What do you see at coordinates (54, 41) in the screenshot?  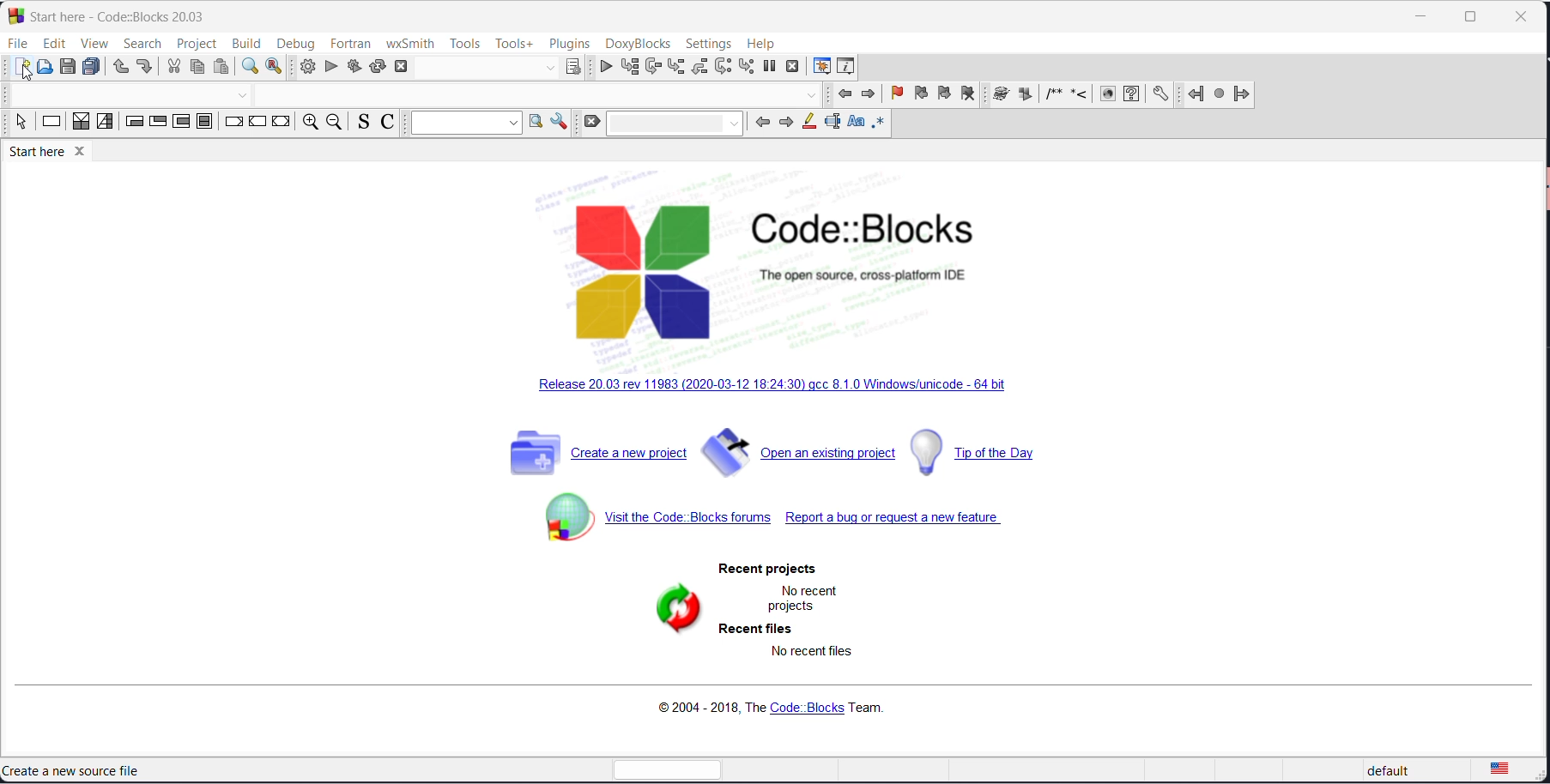 I see `Edit` at bounding box center [54, 41].